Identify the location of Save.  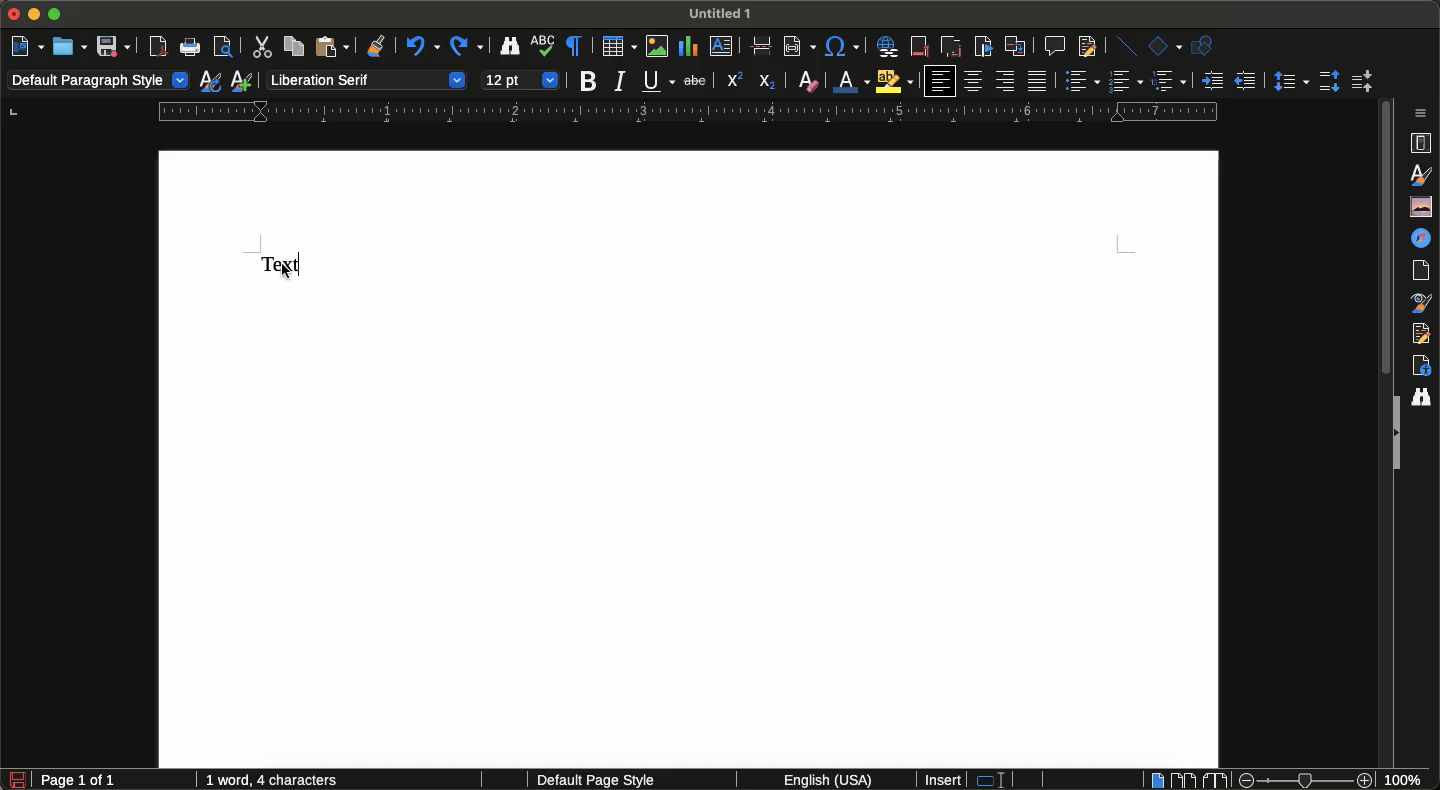
(113, 46).